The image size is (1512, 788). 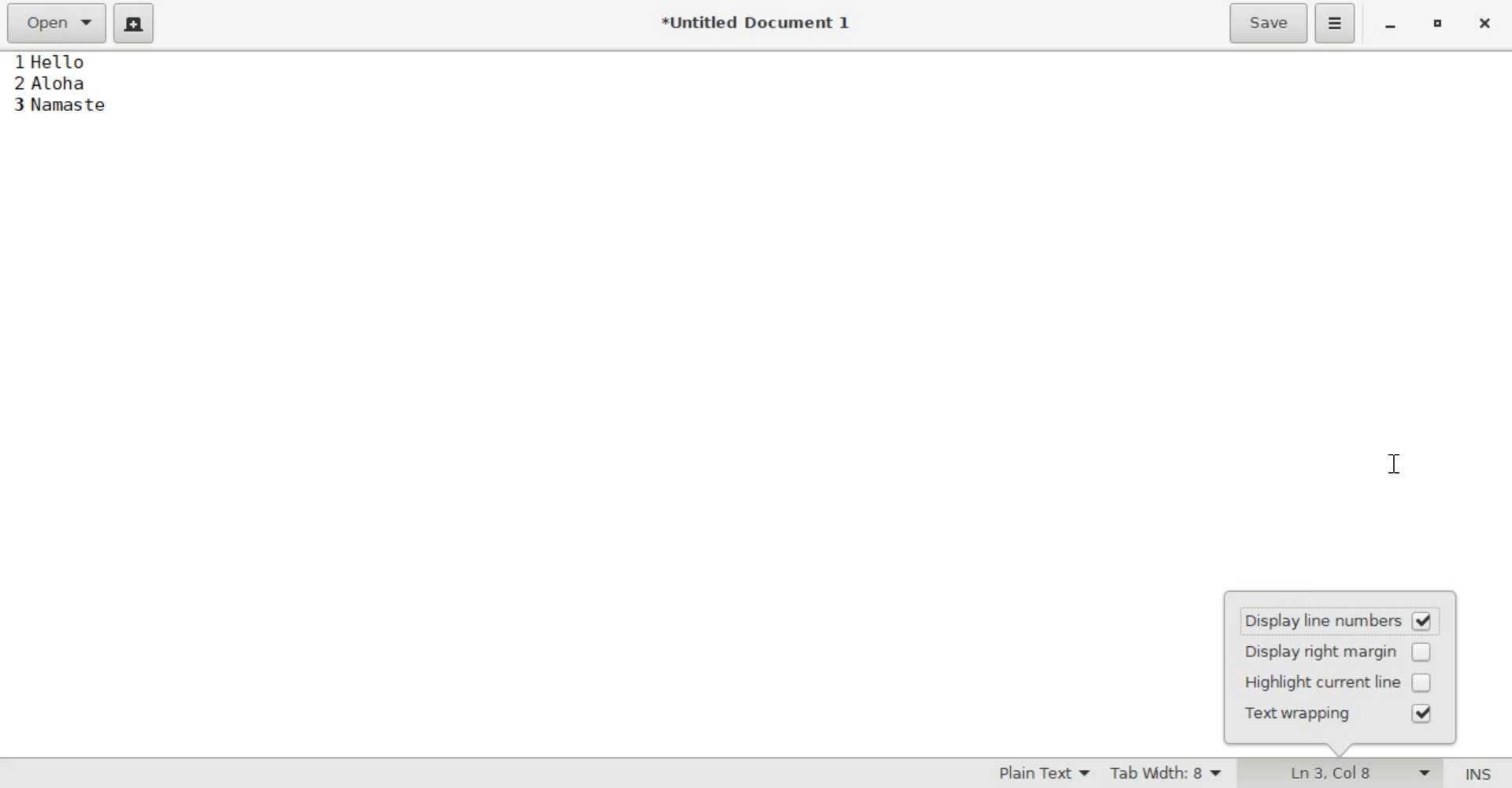 I want to click on Syntax Mode, so click(x=1034, y=773).